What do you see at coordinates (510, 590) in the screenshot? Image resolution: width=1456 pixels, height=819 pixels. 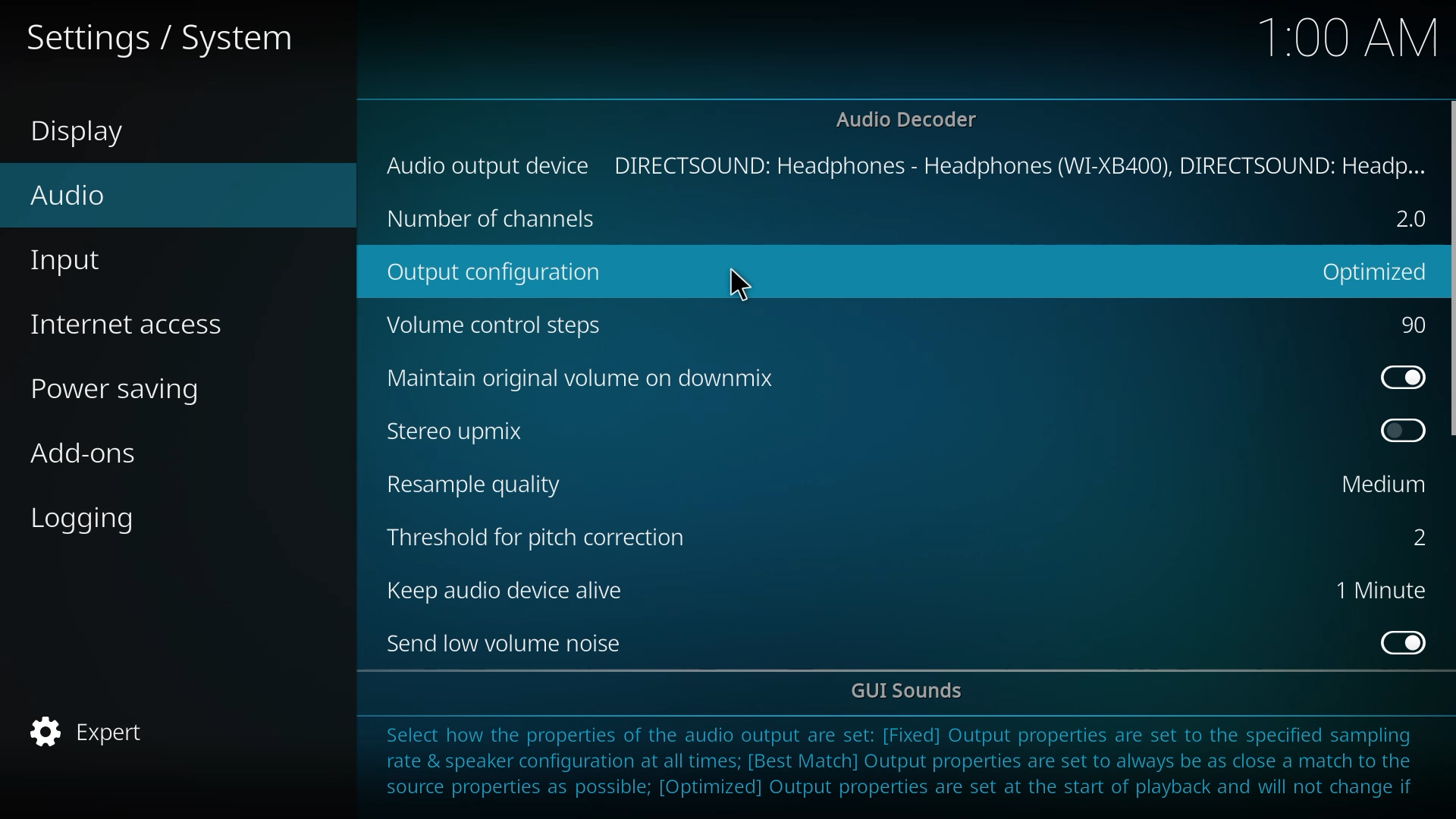 I see `keep audio` at bounding box center [510, 590].